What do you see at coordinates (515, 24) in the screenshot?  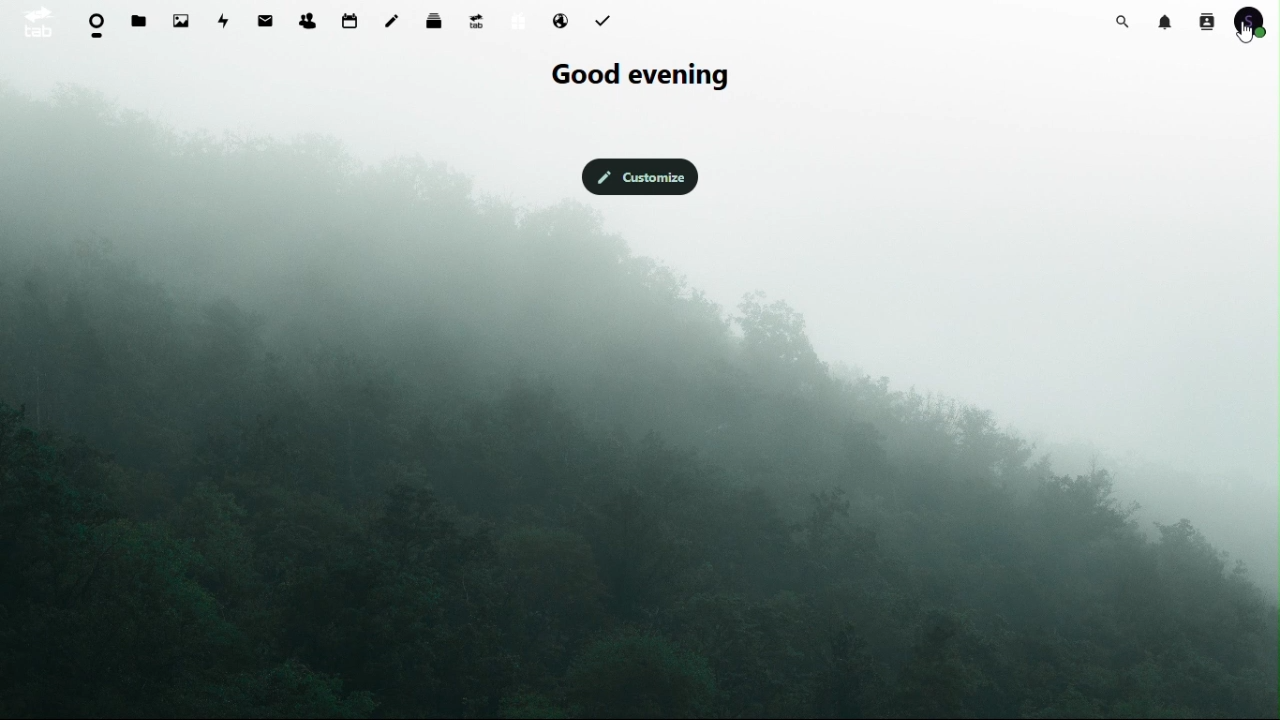 I see `free trail` at bounding box center [515, 24].